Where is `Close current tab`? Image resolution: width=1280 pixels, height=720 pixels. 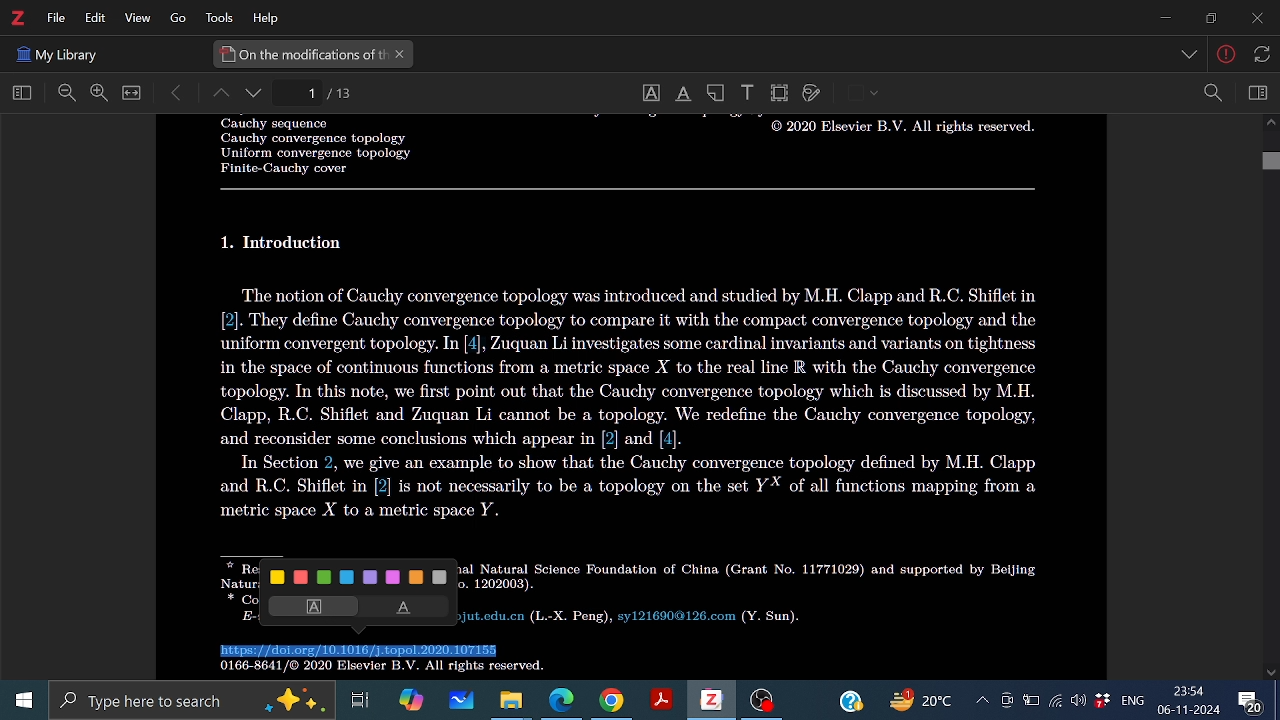 Close current tab is located at coordinates (401, 55).